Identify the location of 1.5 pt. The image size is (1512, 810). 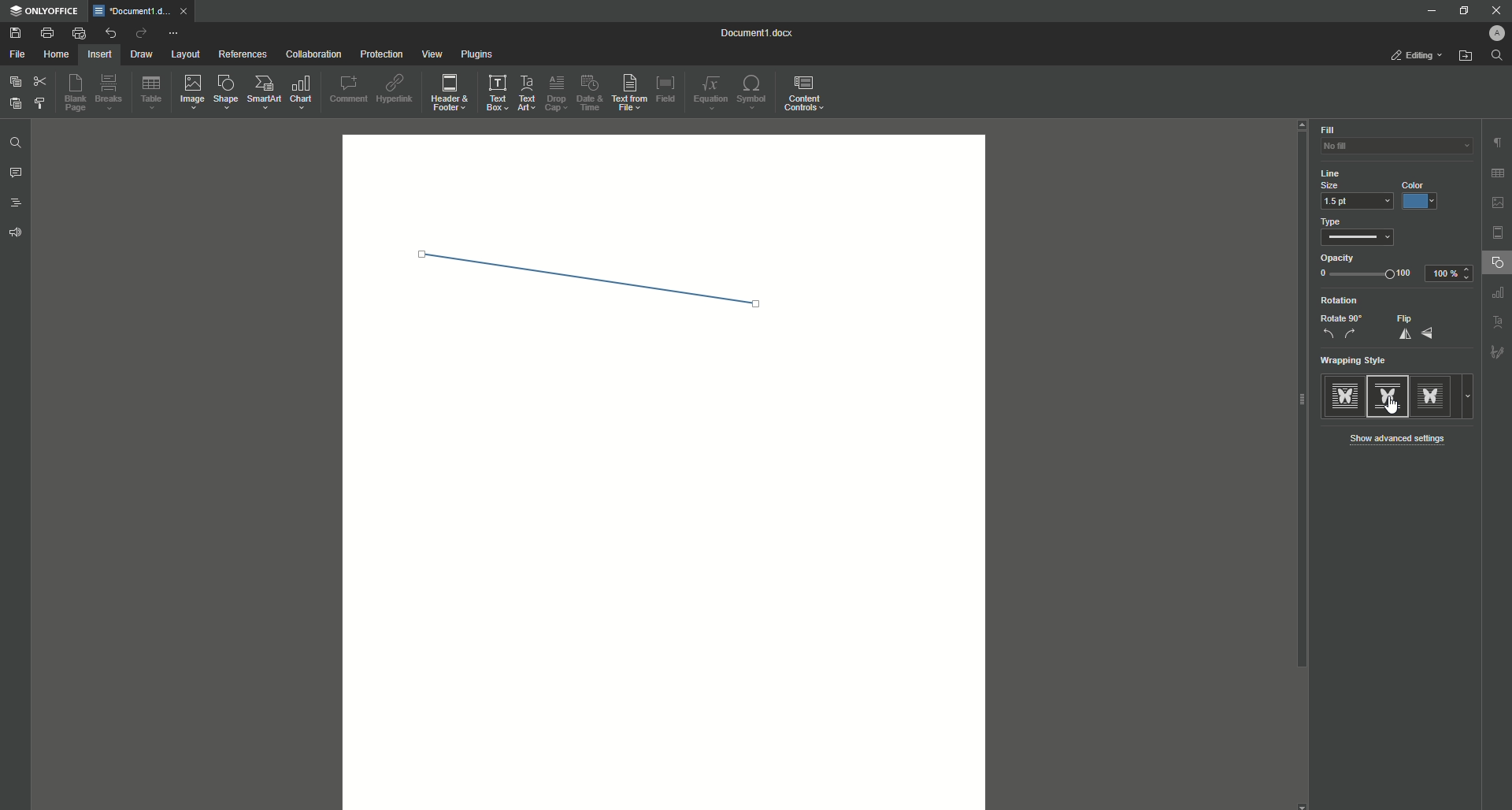
(1358, 202).